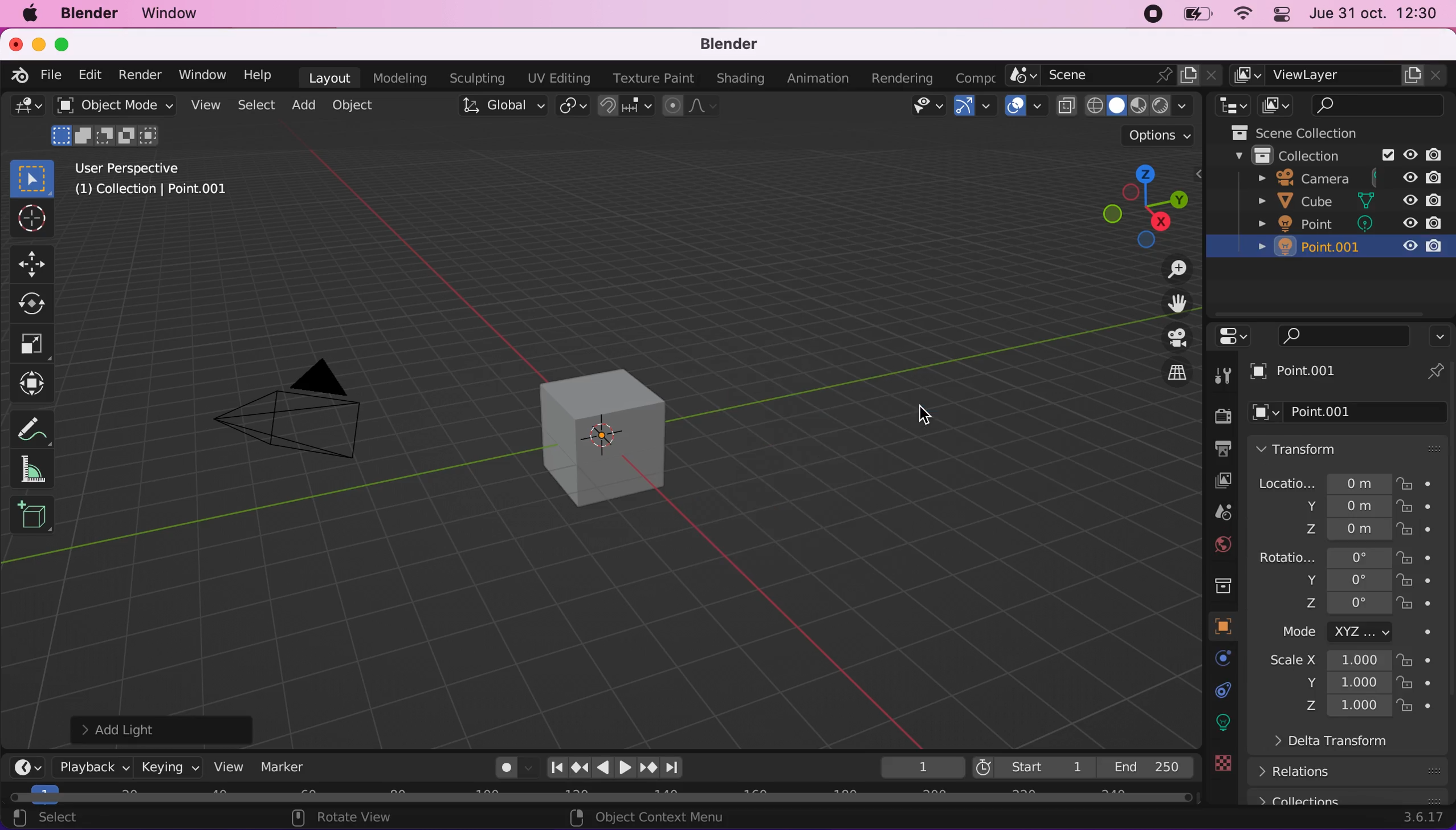  What do you see at coordinates (364, 107) in the screenshot?
I see `object` at bounding box center [364, 107].